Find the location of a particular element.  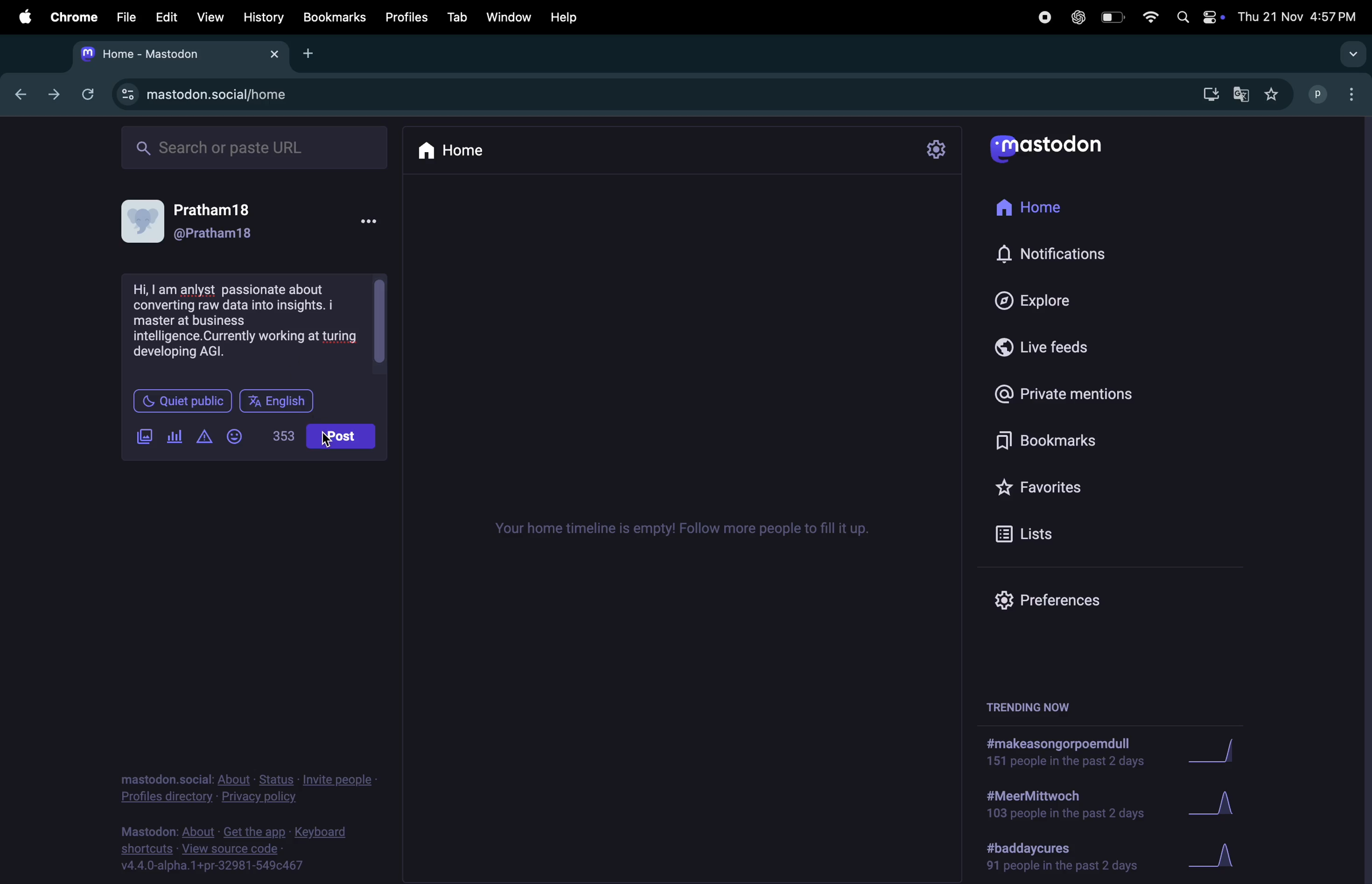

spotlight search is located at coordinates (1181, 18).